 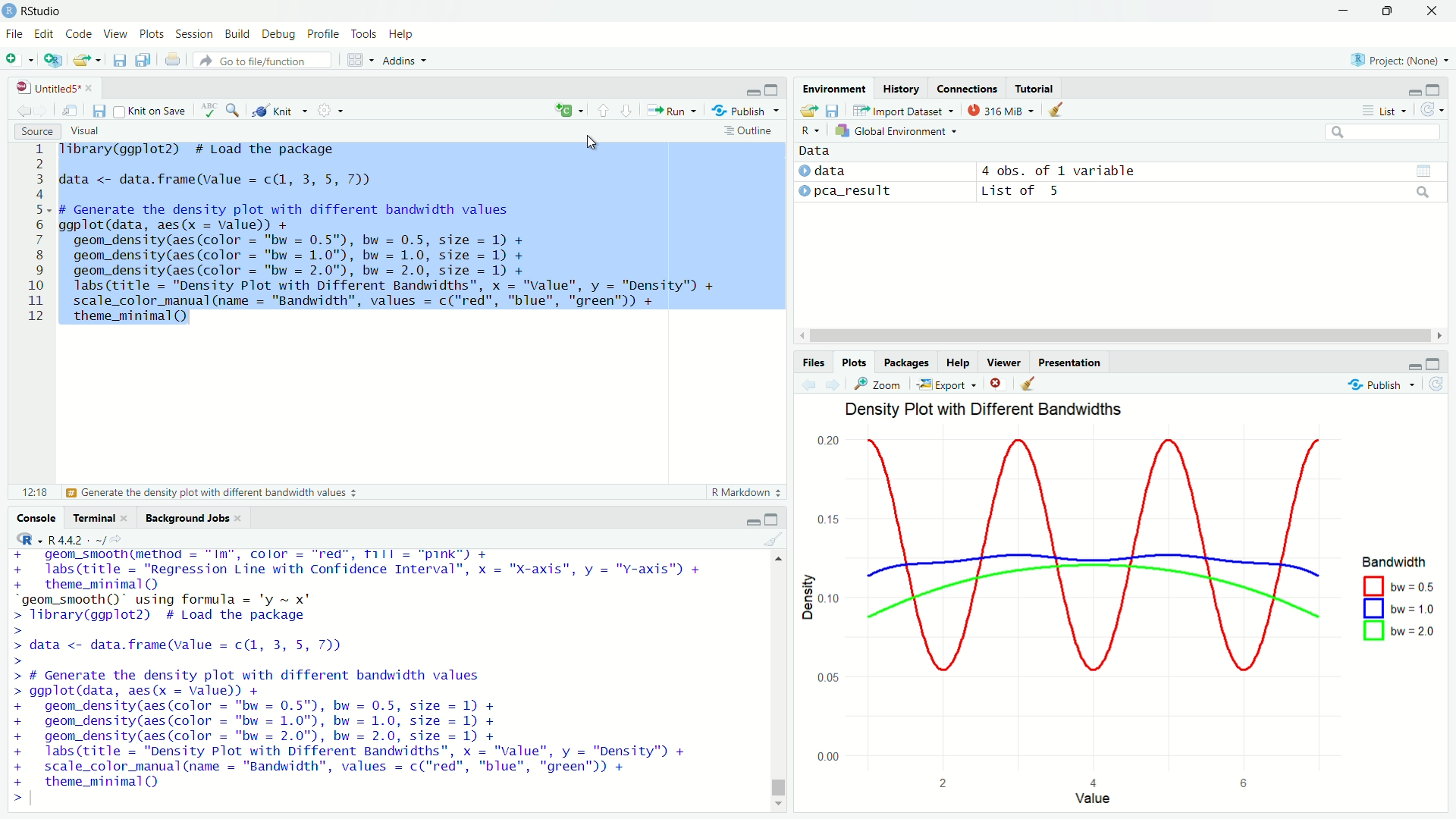 What do you see at coordinates (1069, 362) in the screenshot?
I see `Presentation` at bounding box center [1069, 362].